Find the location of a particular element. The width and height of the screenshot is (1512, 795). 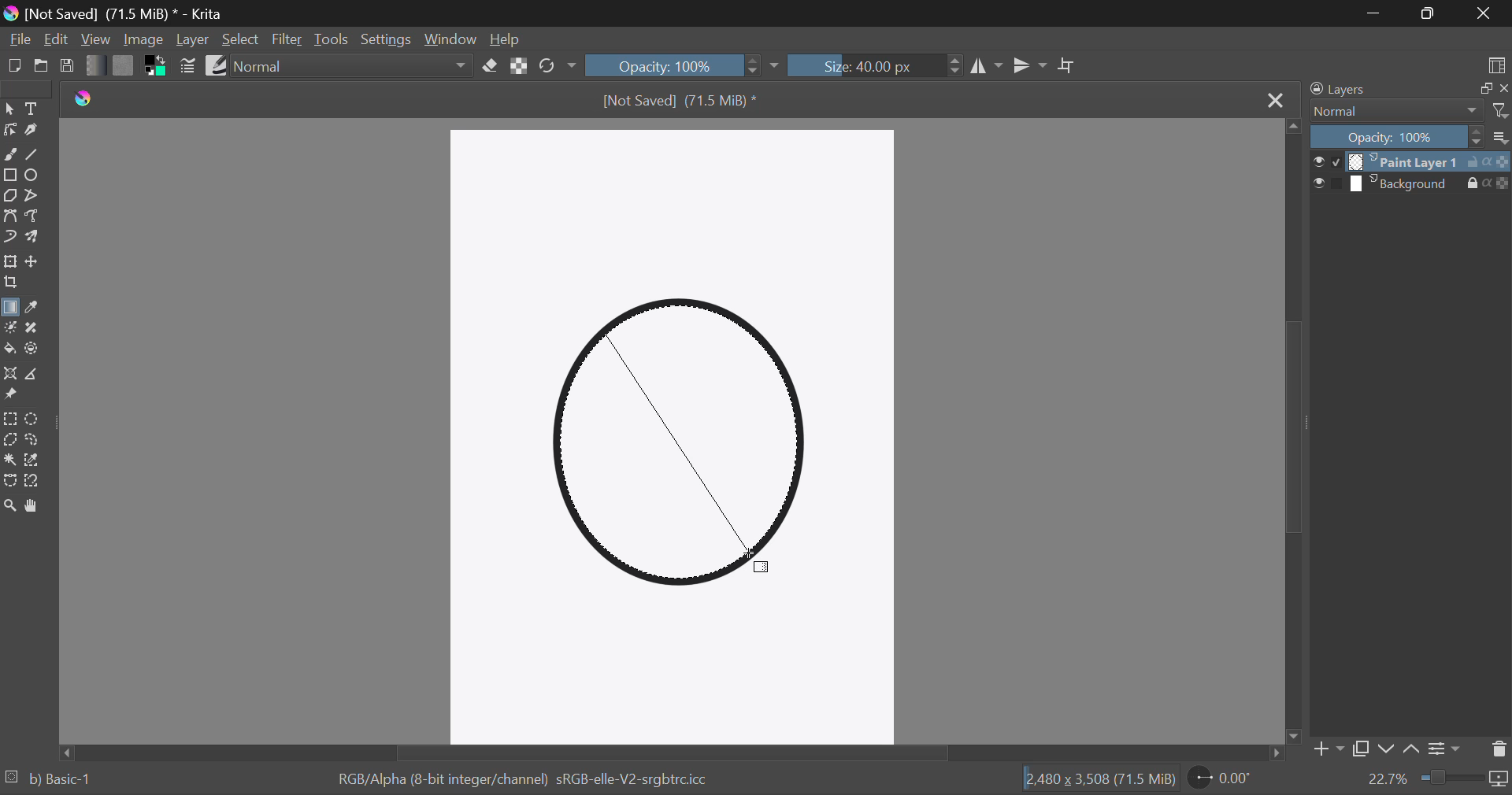

Freehand Selection is located at coordinates (36, 438).